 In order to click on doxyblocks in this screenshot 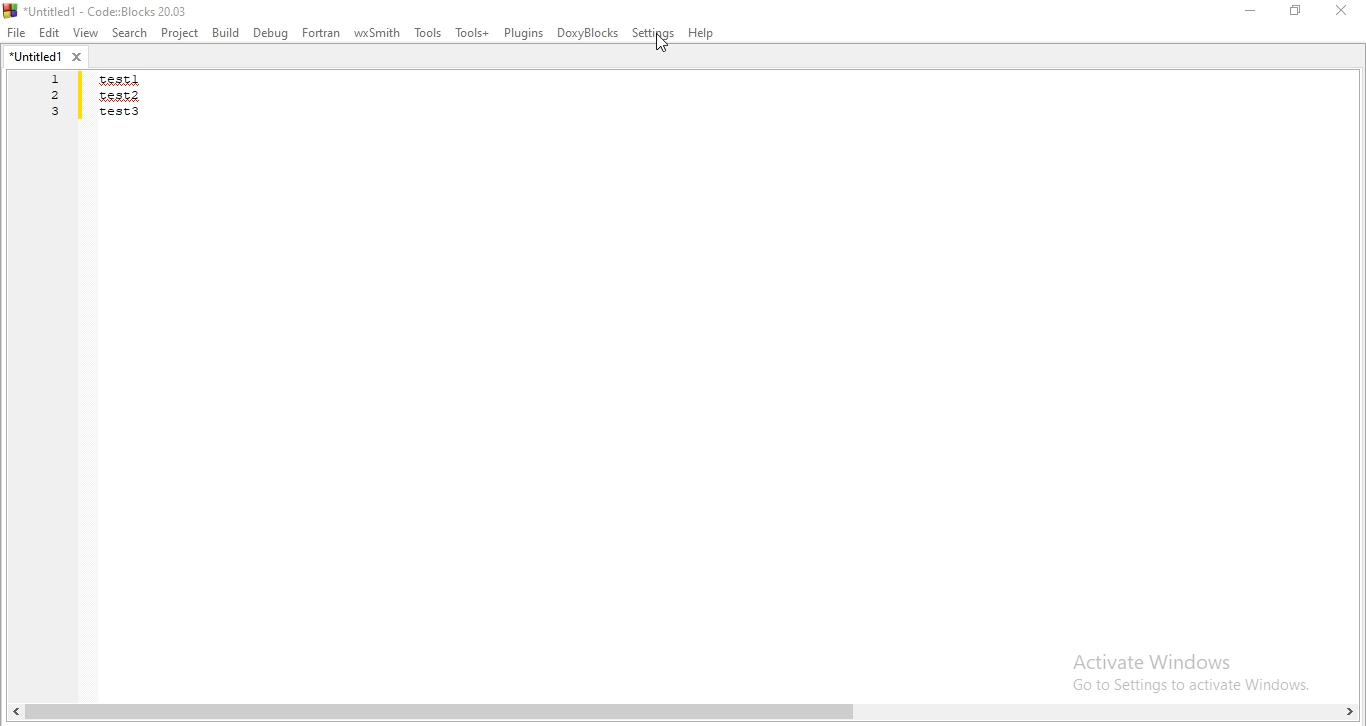, I will do `click(588, 34)`.